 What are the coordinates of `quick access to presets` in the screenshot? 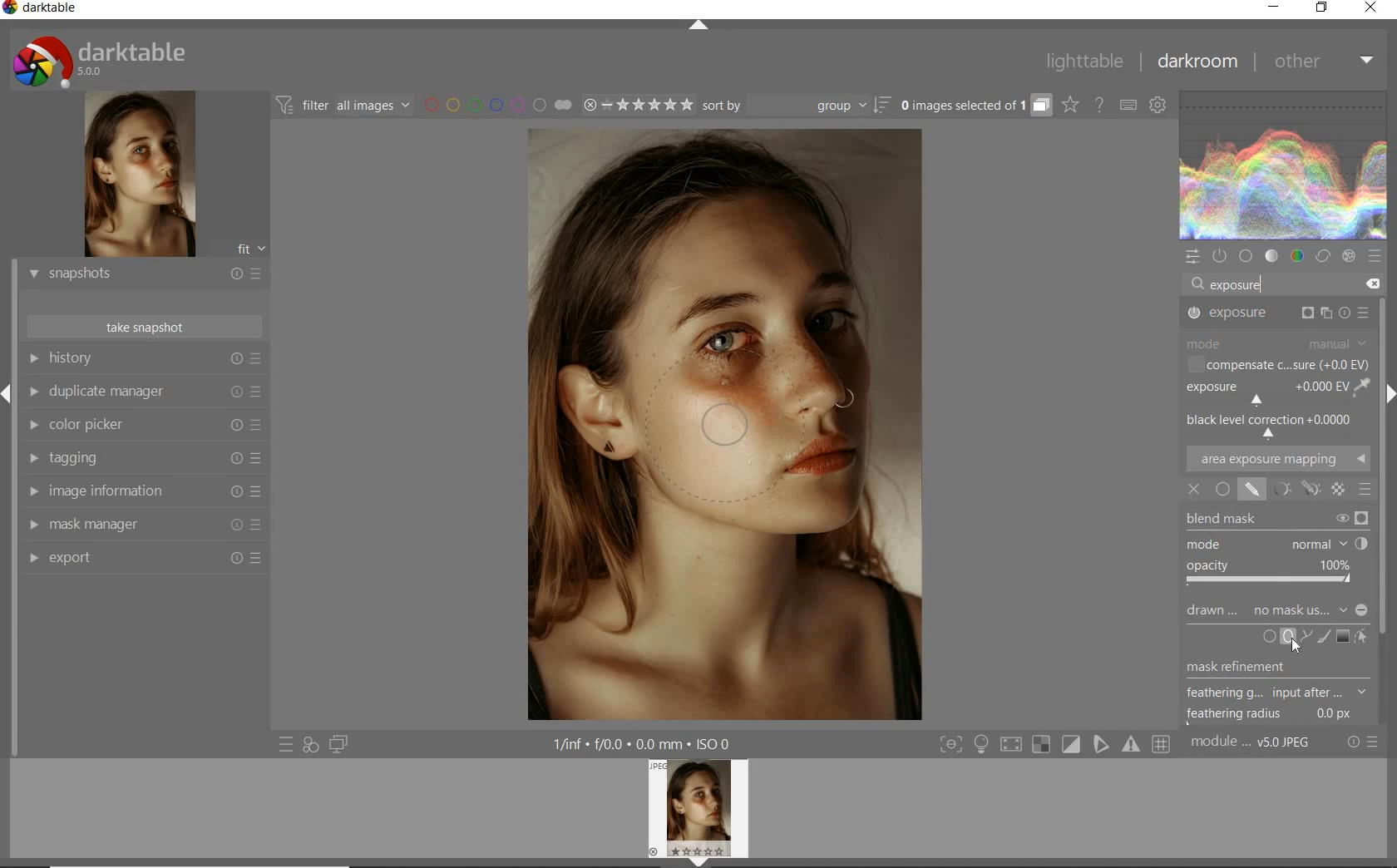 It's located at (287, 744).